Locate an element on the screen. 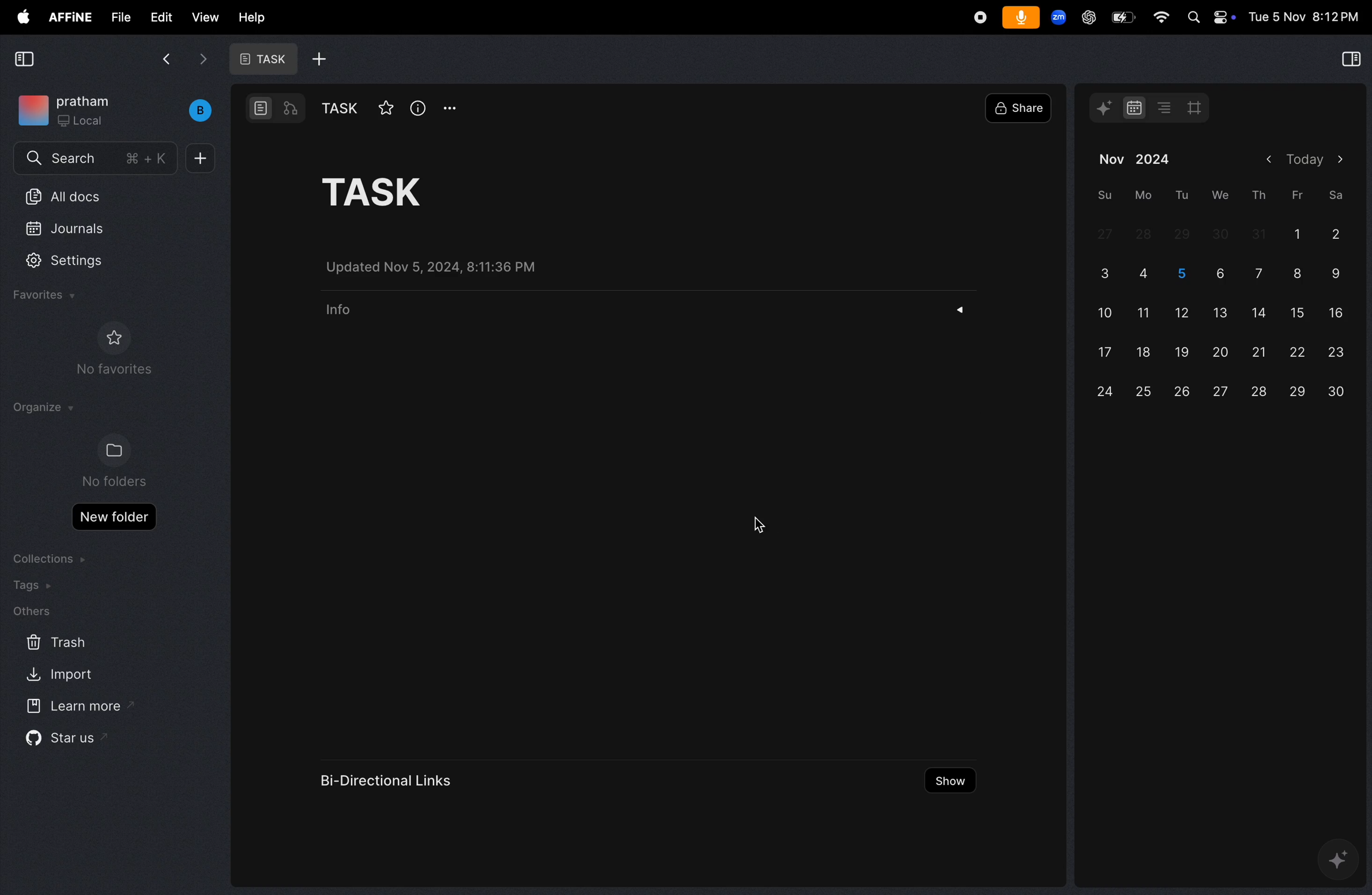 The width and height of the screenshot is (1372, 895). task title is located at coordinates (395, 190).